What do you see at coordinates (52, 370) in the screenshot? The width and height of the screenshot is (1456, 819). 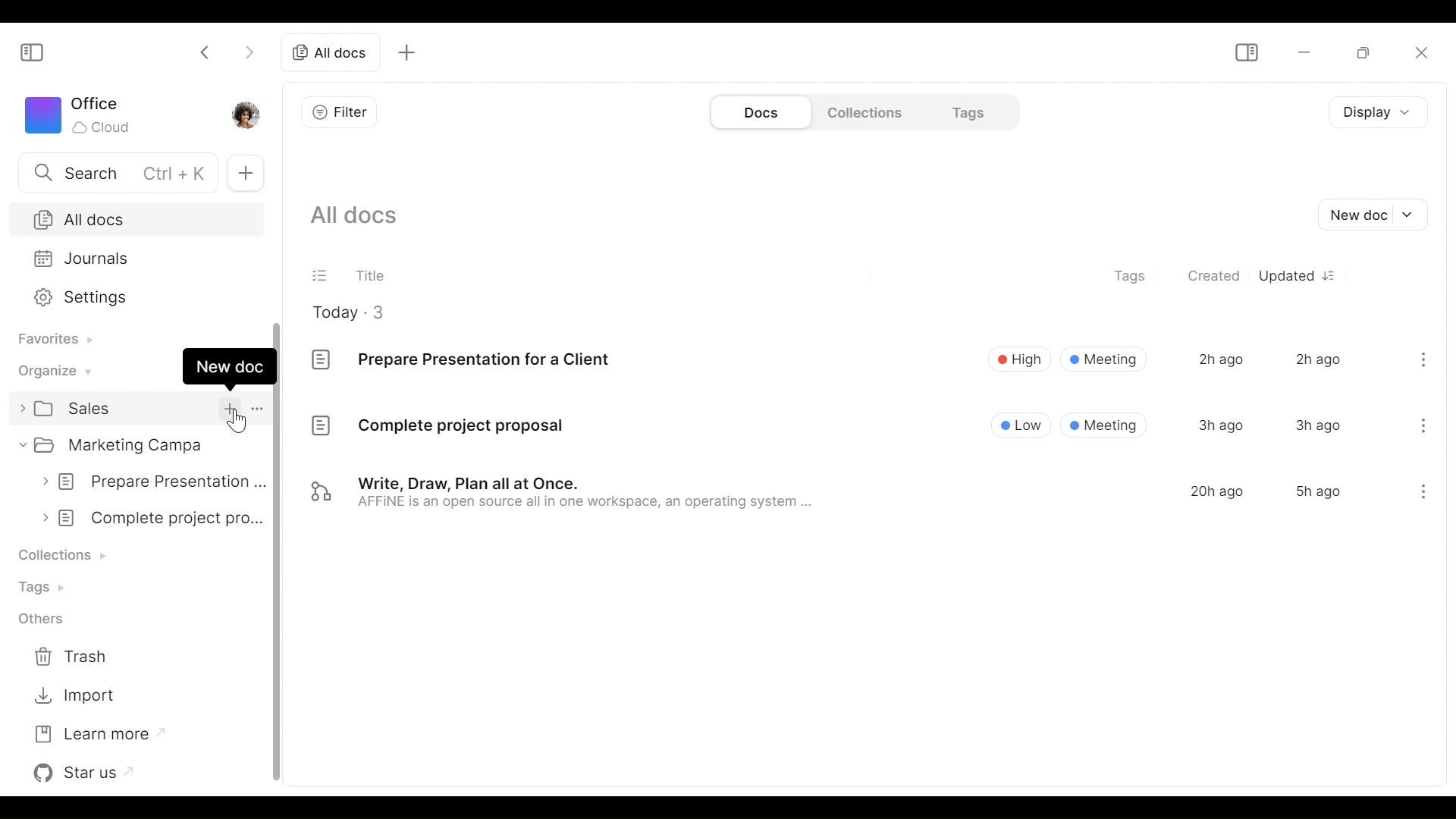 I see `Organize` at bounding box center [52, 370].